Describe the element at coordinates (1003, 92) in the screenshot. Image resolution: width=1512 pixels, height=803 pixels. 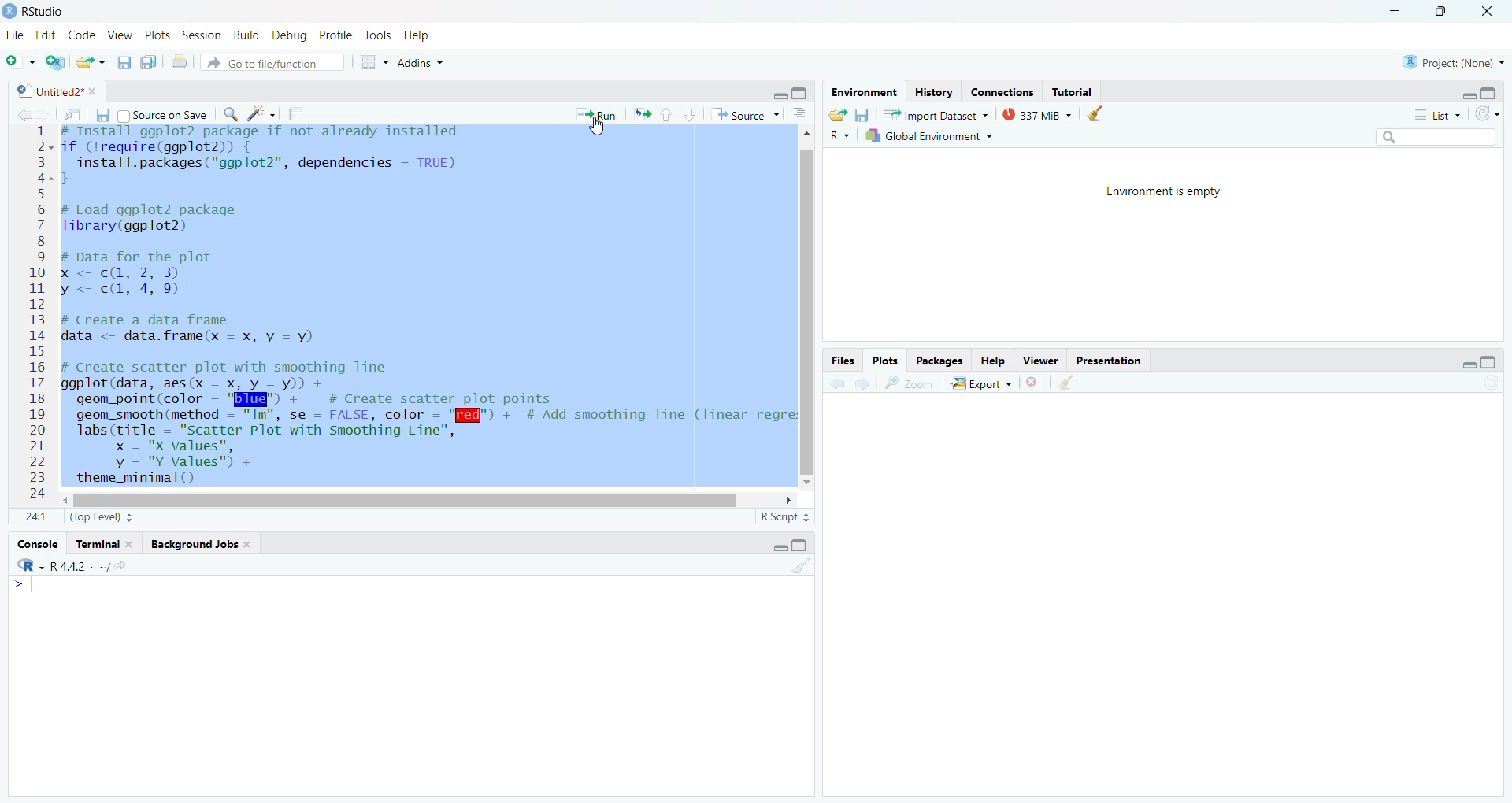
I see `Connections` at that location.